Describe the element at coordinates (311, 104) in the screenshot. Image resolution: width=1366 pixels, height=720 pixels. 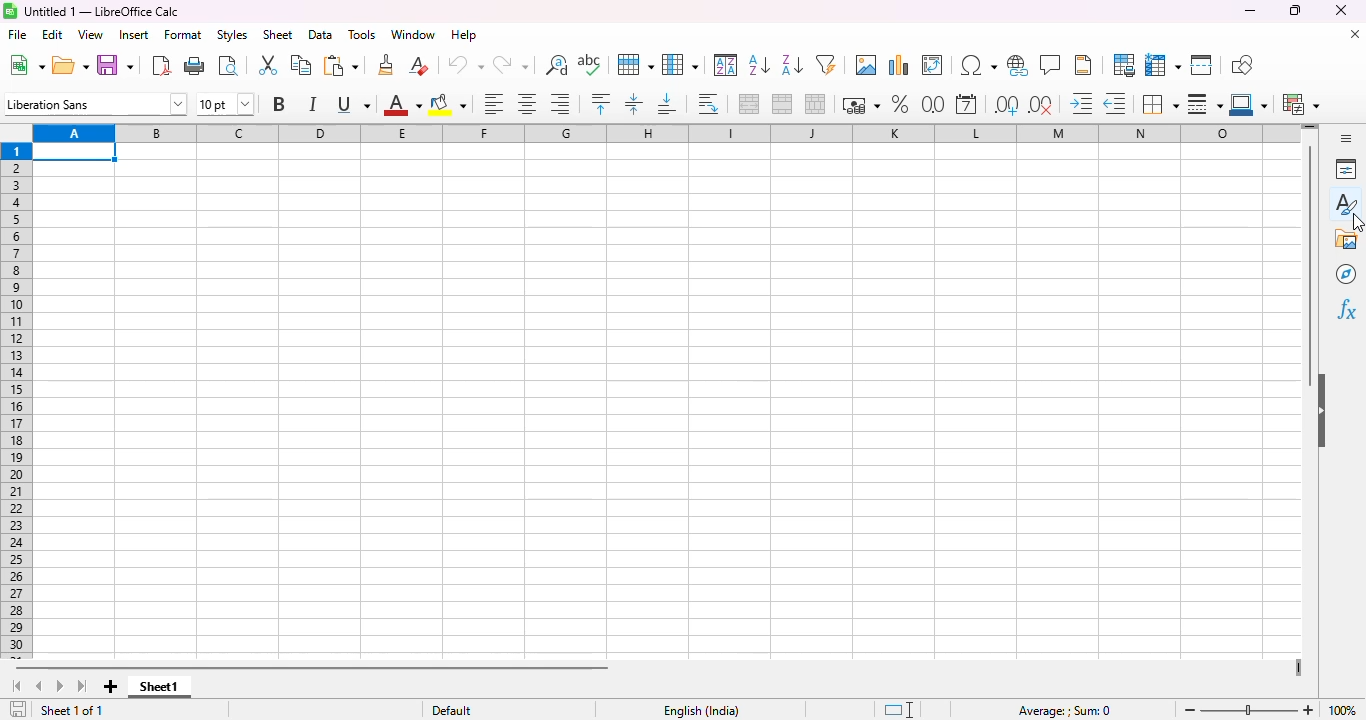
I see `italic` at that location.